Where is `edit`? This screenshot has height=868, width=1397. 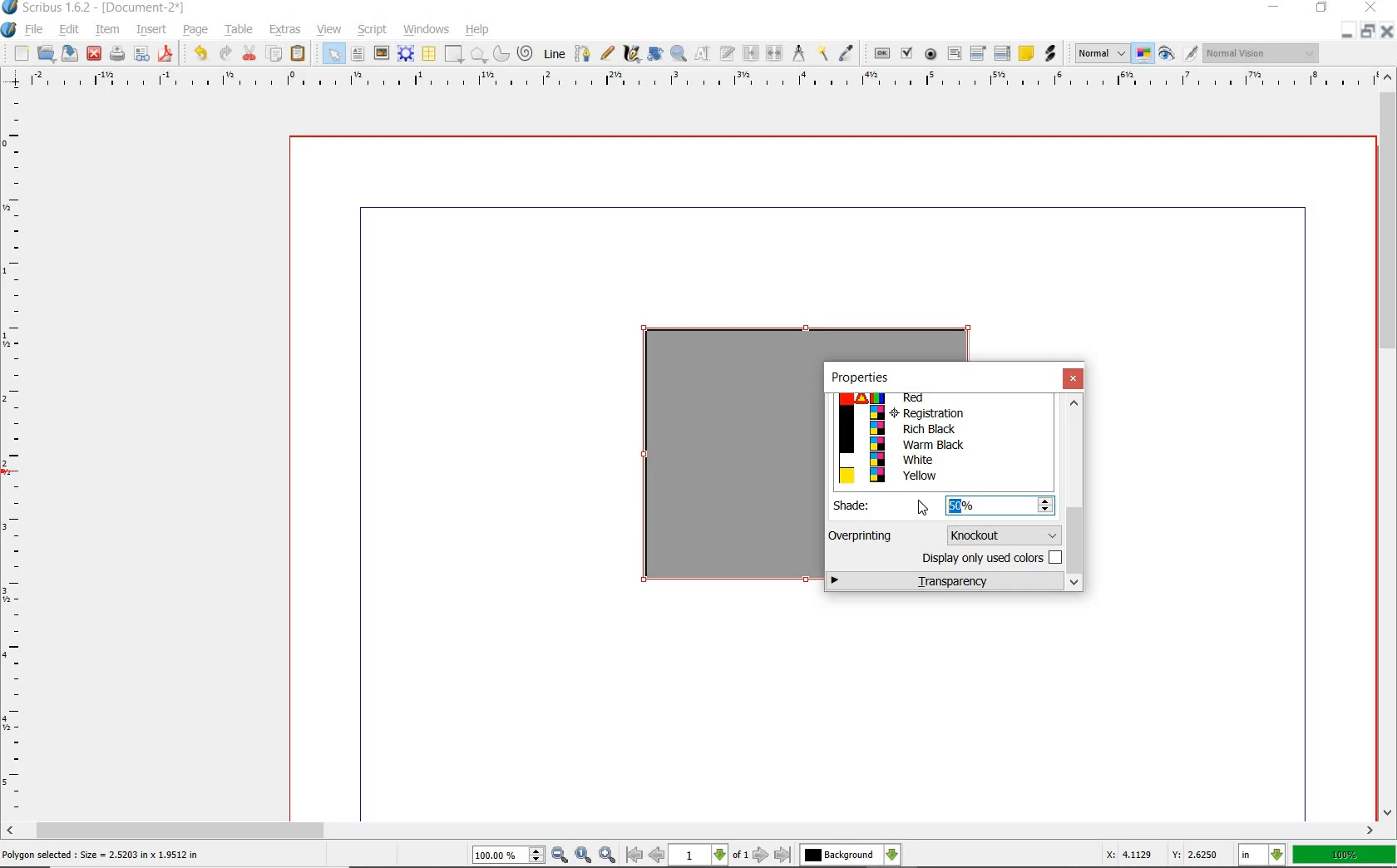 edit is located at coordinates (69, 30).